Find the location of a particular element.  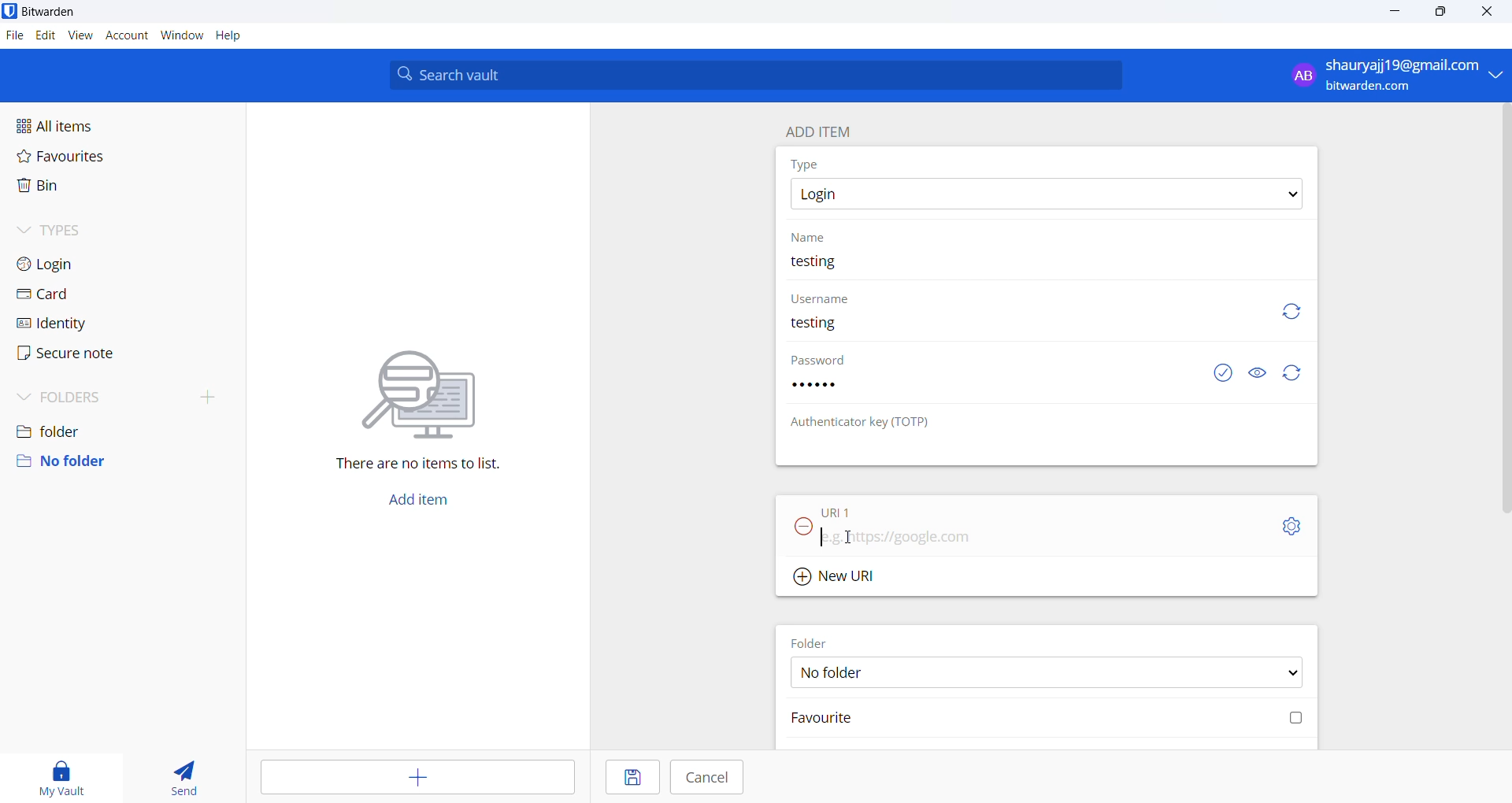

Add new URL is located at coordinates (839, 576).